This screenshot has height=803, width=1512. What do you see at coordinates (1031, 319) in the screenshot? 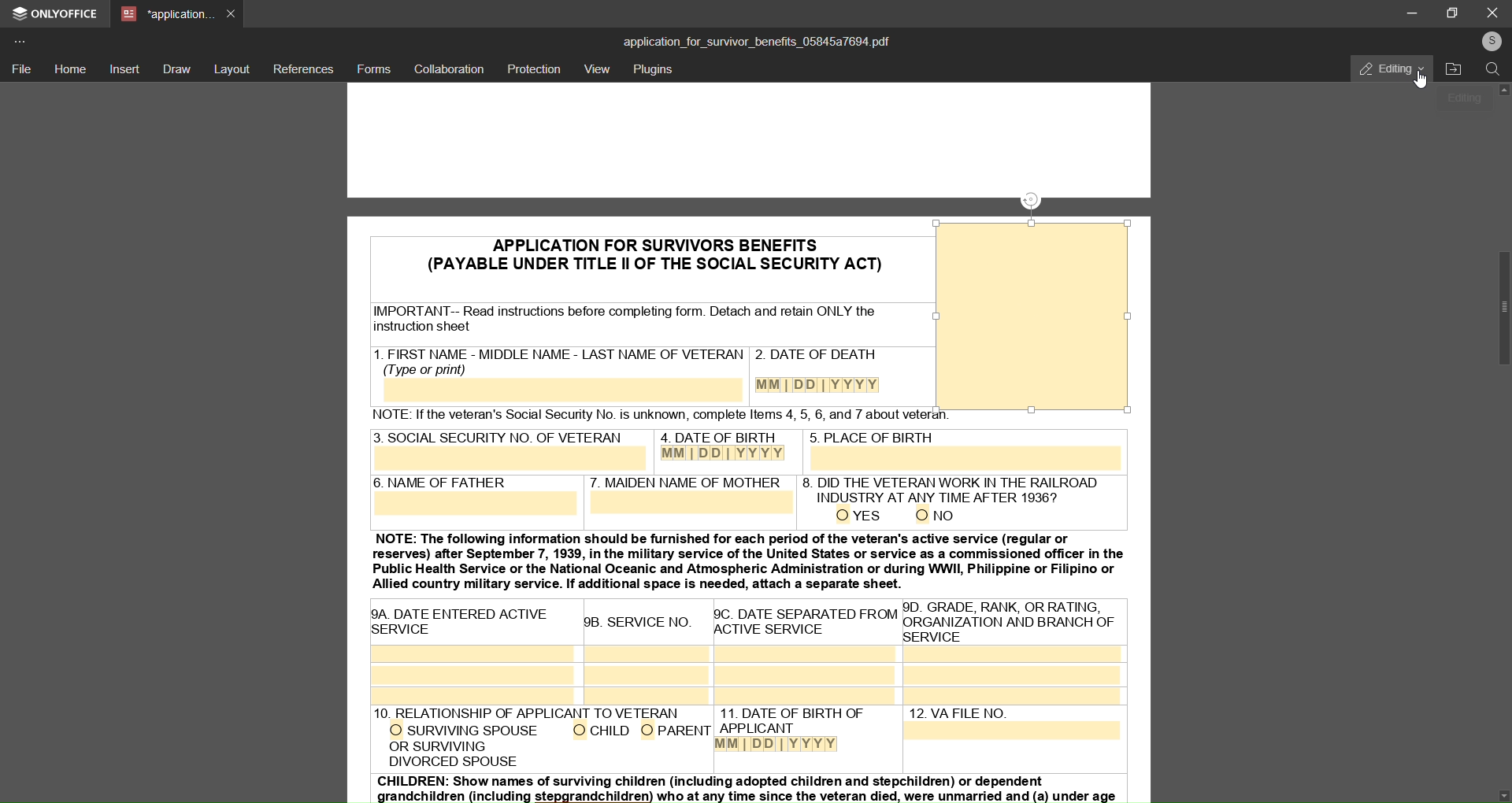
I see `profile picture space` at bounding box center [1031, 319].